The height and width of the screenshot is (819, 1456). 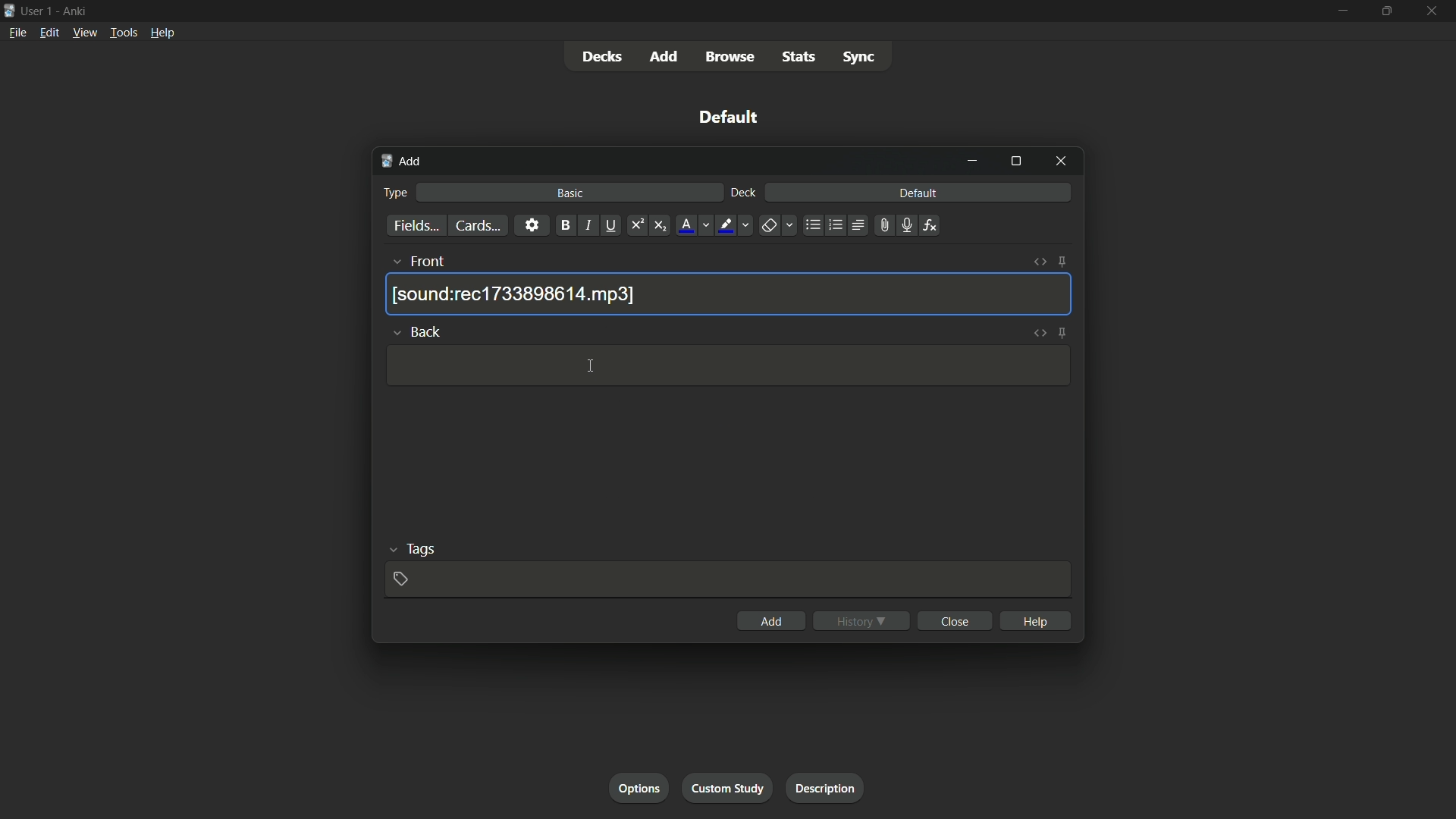 What do you see at coordinates (742, 193) in the screenshot?
I see `deck` at bounding box center [742, 193].